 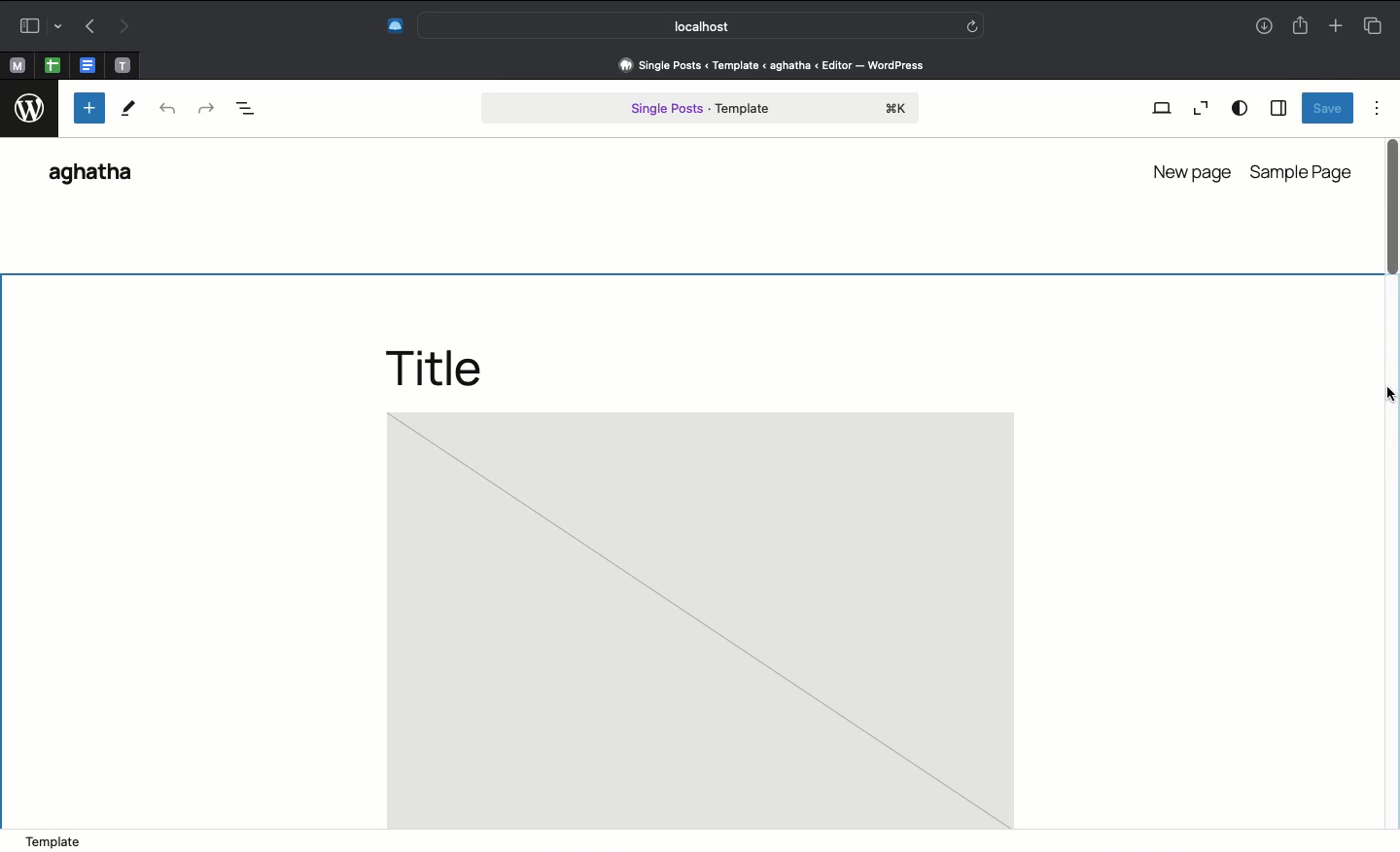 What do you see at coordinates (97, 178) in the screenshot?
I see `Wordpress name` at bounding box center [97, 178].